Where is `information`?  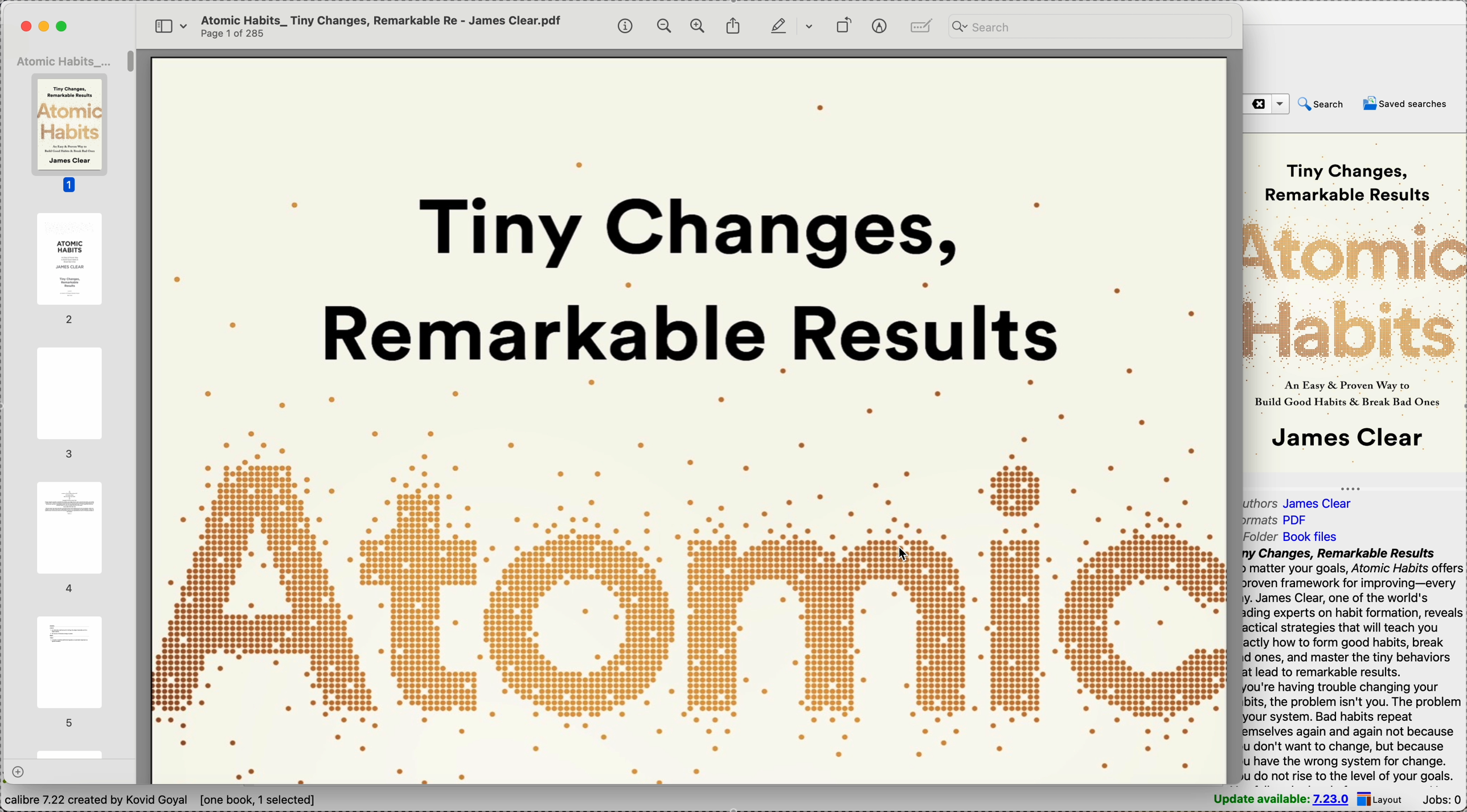
information is located at coordinates (627, 26).